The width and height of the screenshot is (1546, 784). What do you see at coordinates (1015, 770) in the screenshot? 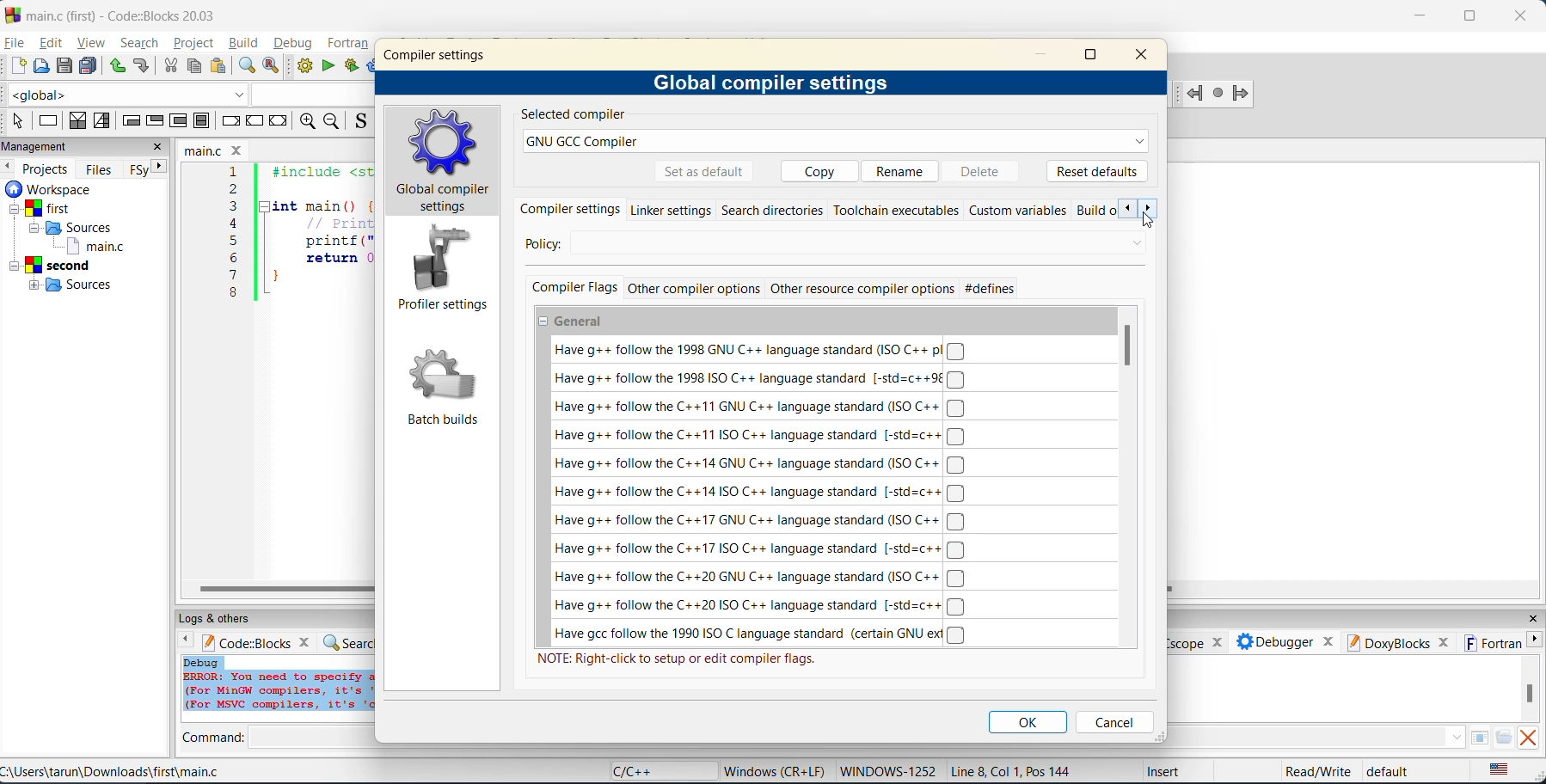
I see `Line 8, Col 1, Pos 144` at bounding box center [1015, 770].